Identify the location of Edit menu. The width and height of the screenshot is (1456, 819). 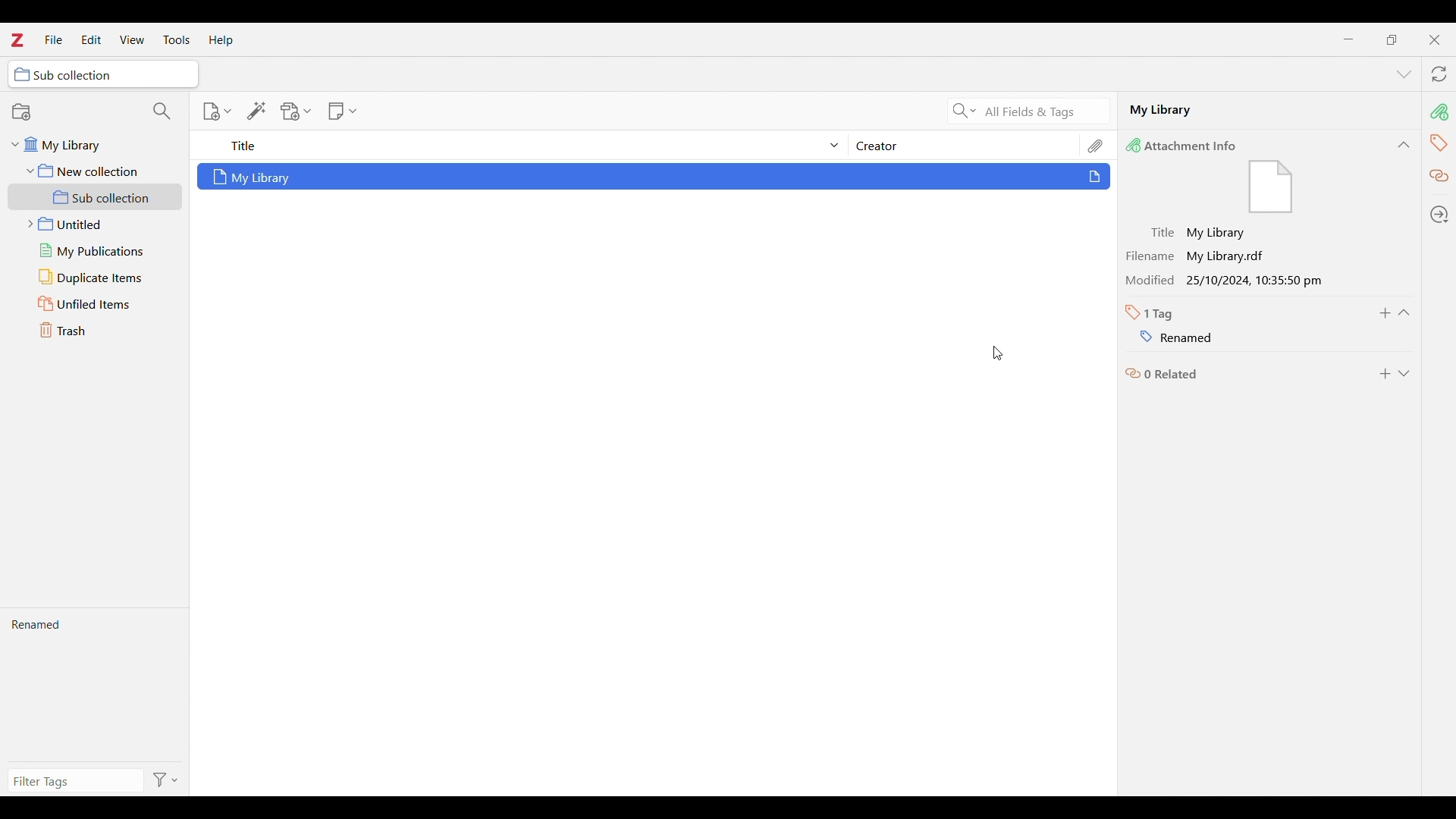
(91, 39).